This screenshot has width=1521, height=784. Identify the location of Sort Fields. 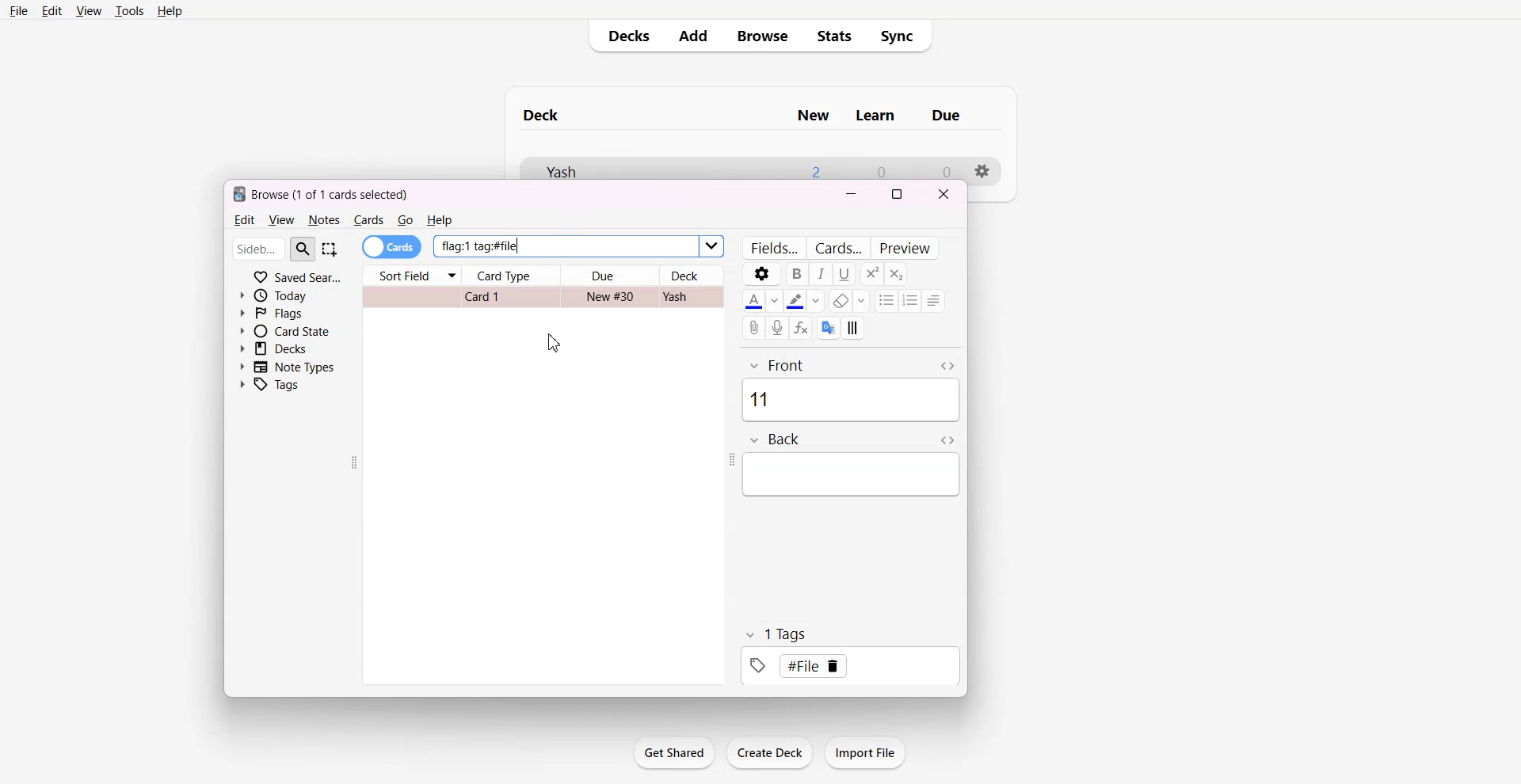
(412, 273).